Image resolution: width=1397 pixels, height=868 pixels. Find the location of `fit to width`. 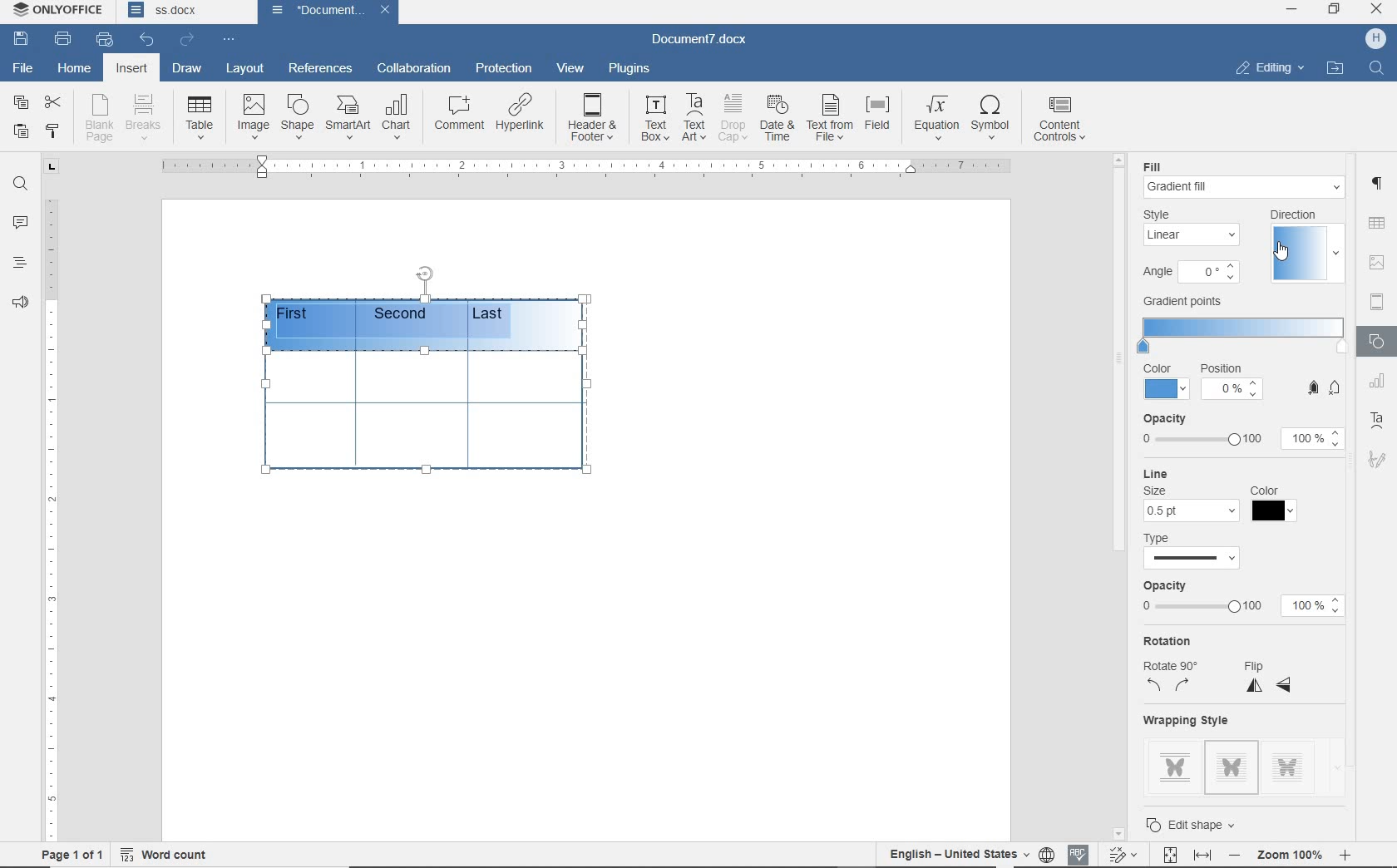

fit to width is located at coordinates (1202, 852).